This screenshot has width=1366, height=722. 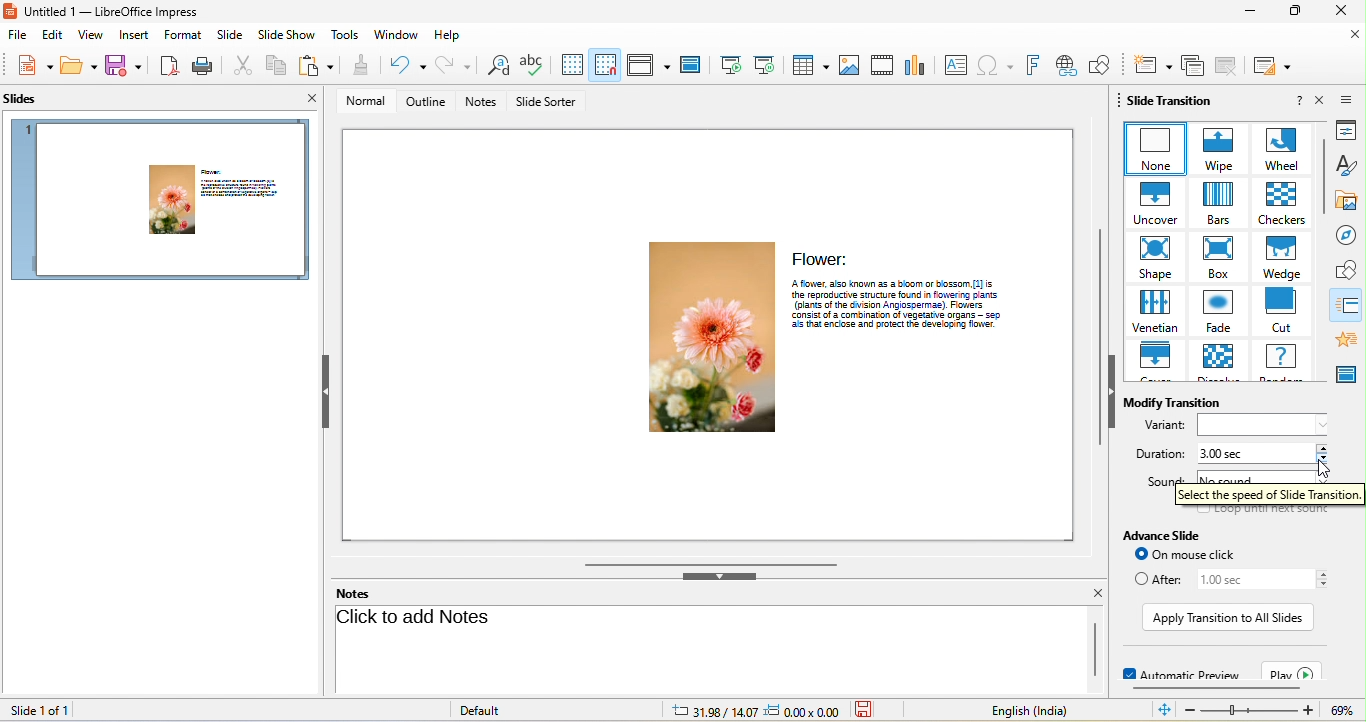 I want to click on hide sidebar, so click(x=325, y=390).